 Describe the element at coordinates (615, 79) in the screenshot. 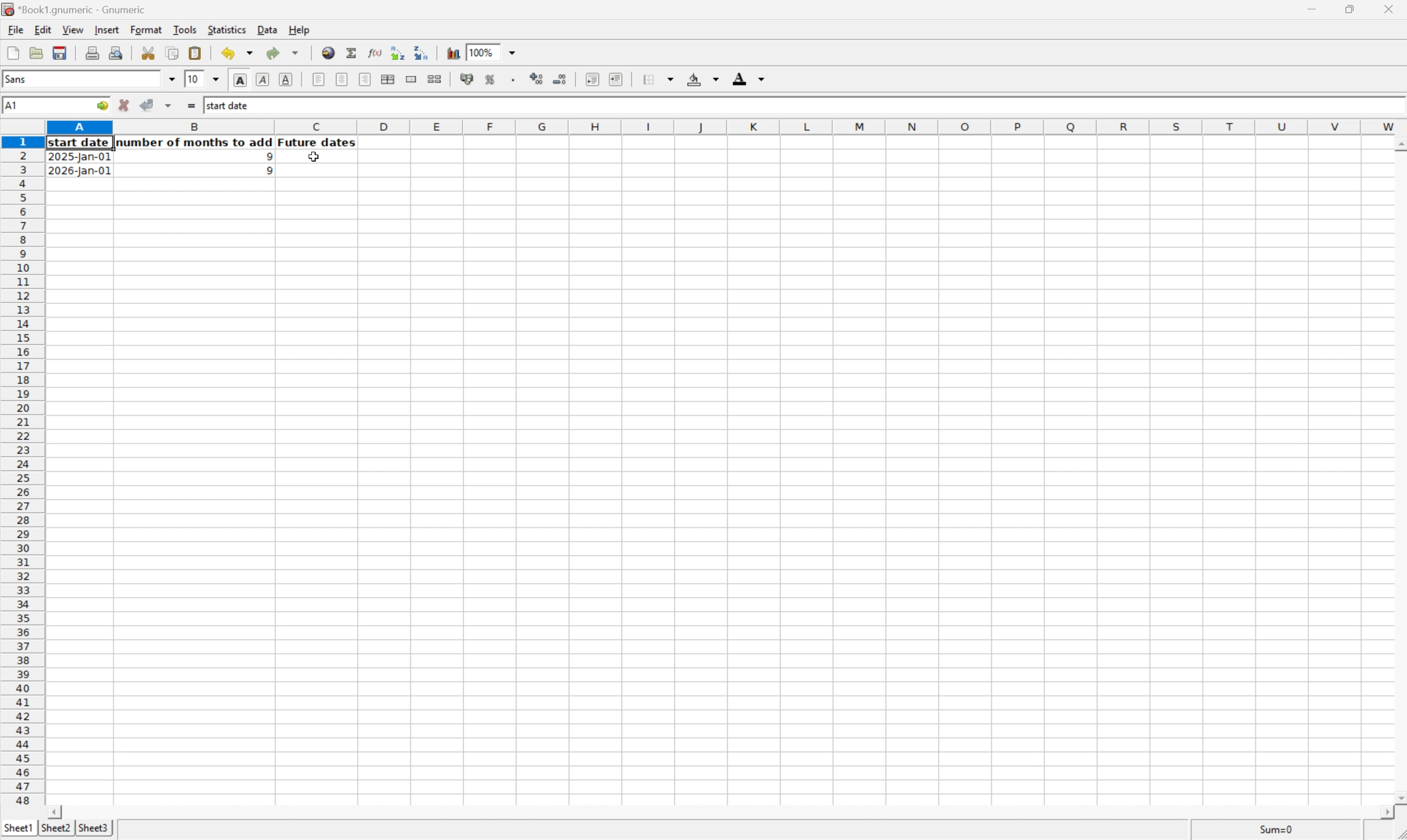

I see `Increase indent, and align the contents to the left` at that location.